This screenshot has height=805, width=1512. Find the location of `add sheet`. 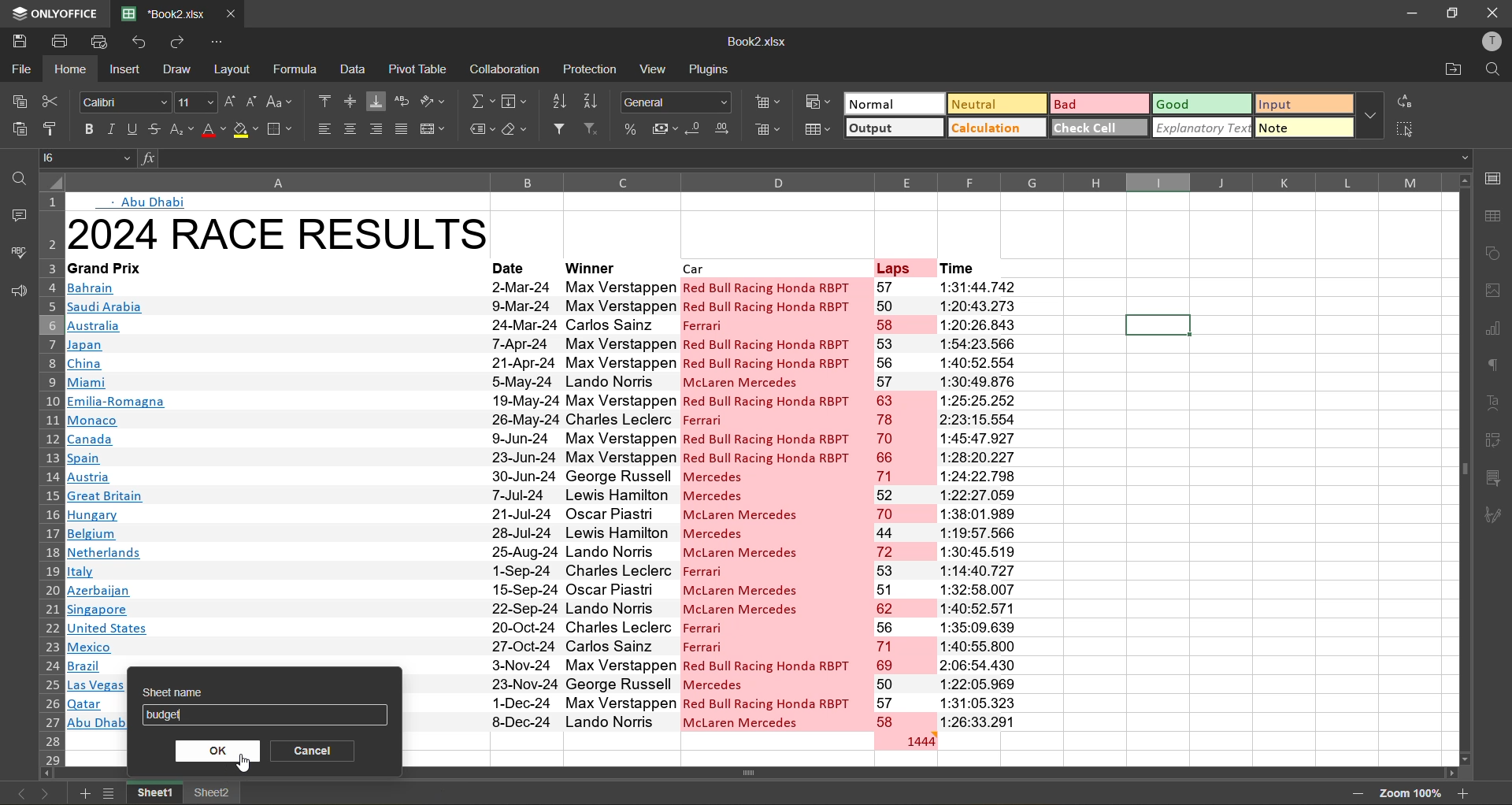

add sheet is located at coordinates (86, 792).